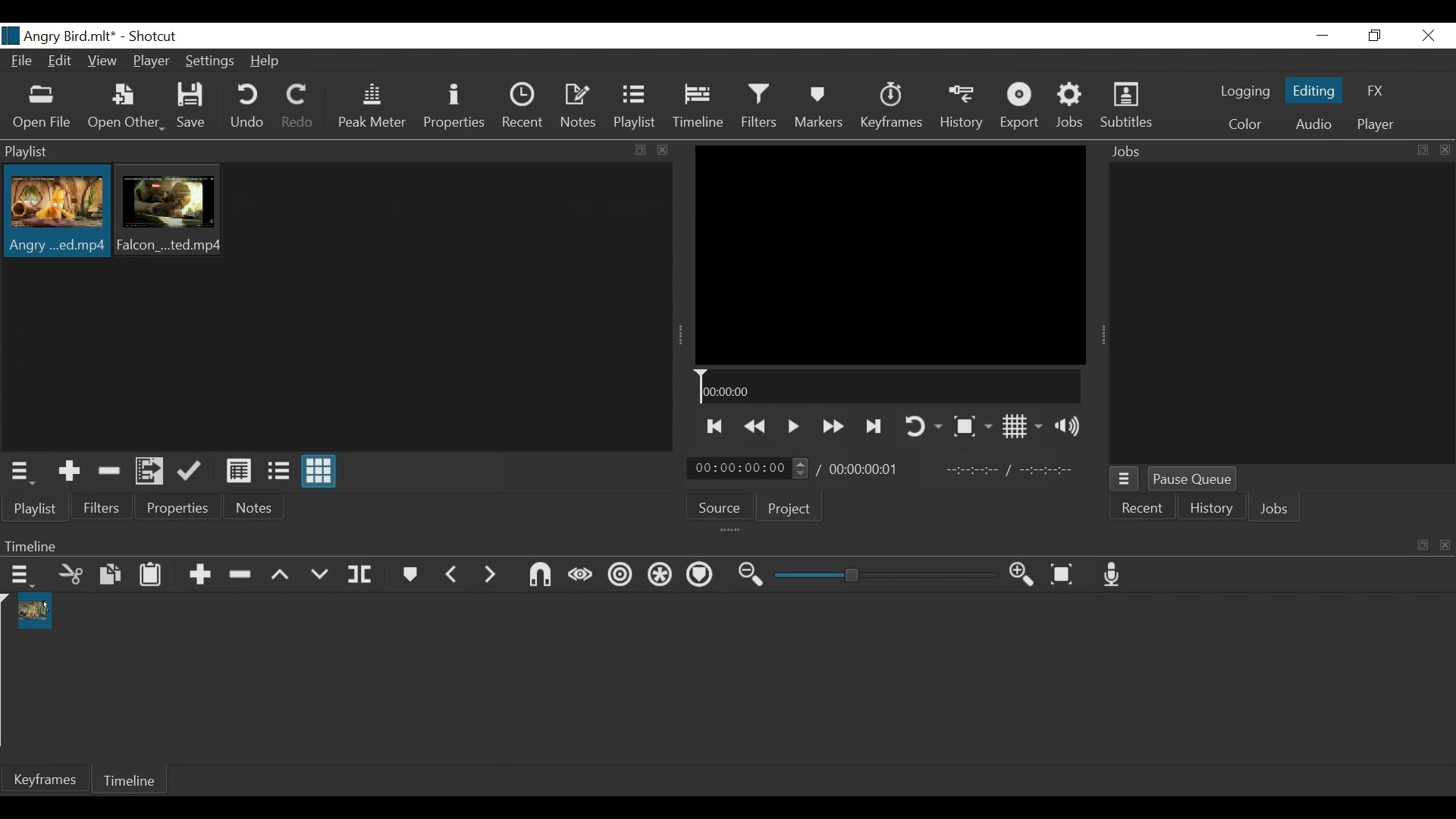 This screenshot has height=819, width=1456. I want to click on Toggle player looping, so click(921, 425).